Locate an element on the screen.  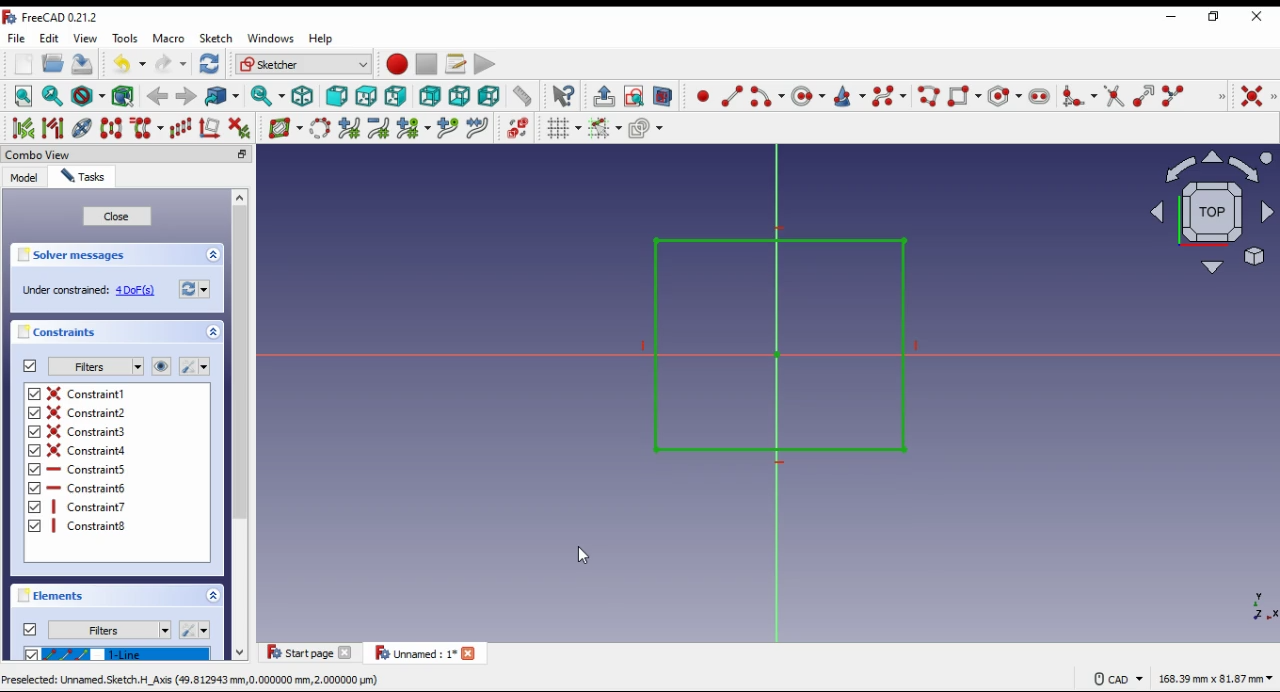
measure distance is located at coordinates (523, 95).